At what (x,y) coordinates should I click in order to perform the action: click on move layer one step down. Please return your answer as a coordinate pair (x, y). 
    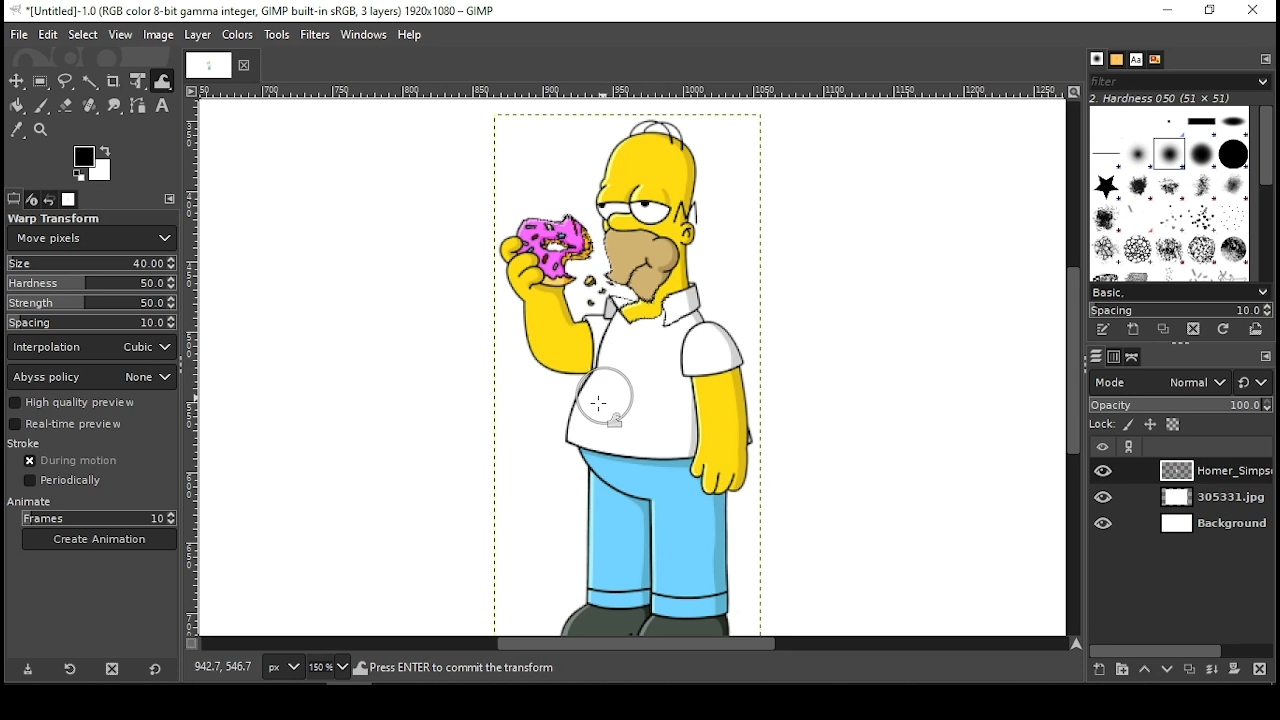
    Looking at the image, I should click on (1167, 672).